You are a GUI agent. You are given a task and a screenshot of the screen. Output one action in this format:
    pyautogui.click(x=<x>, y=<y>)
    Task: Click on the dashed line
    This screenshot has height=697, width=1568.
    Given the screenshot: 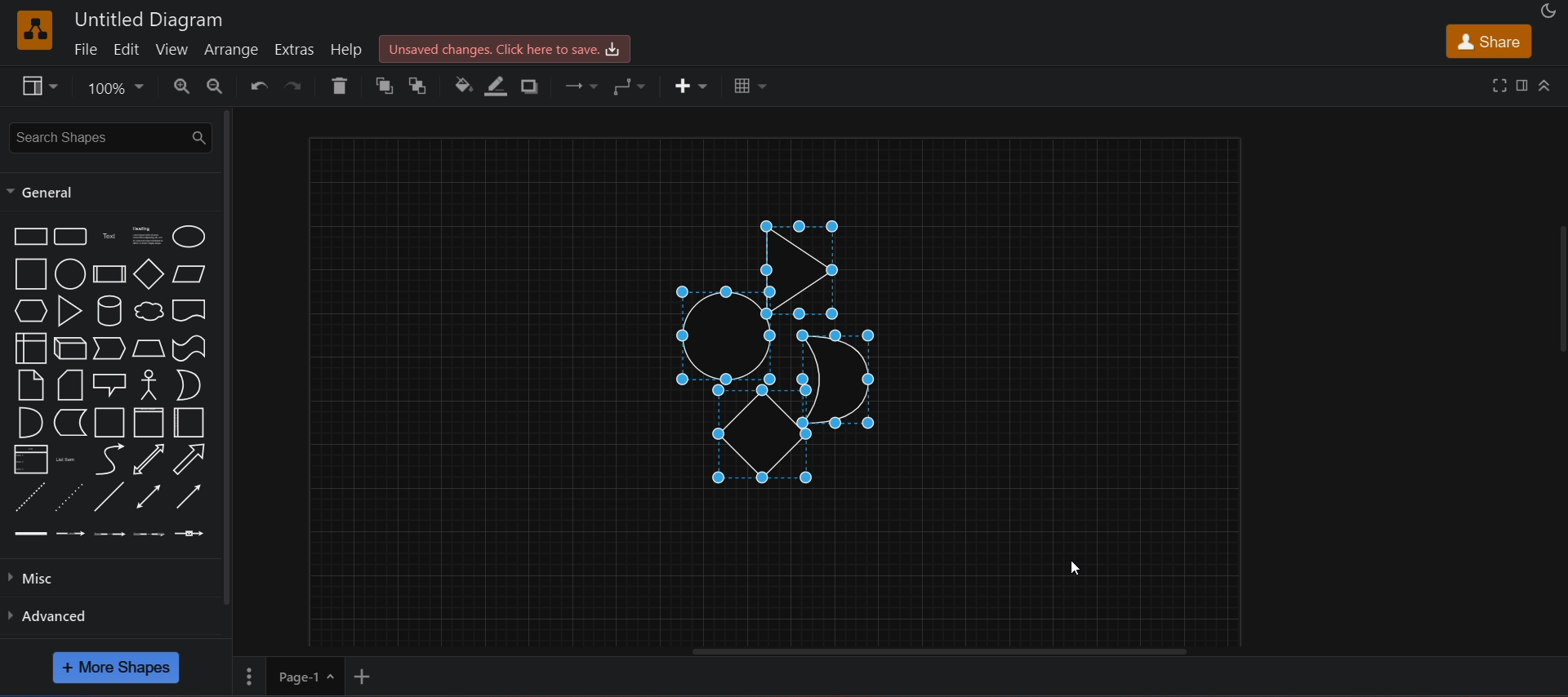 What is the action you would take?
    pyautogui.click(x=29, y=496)
    